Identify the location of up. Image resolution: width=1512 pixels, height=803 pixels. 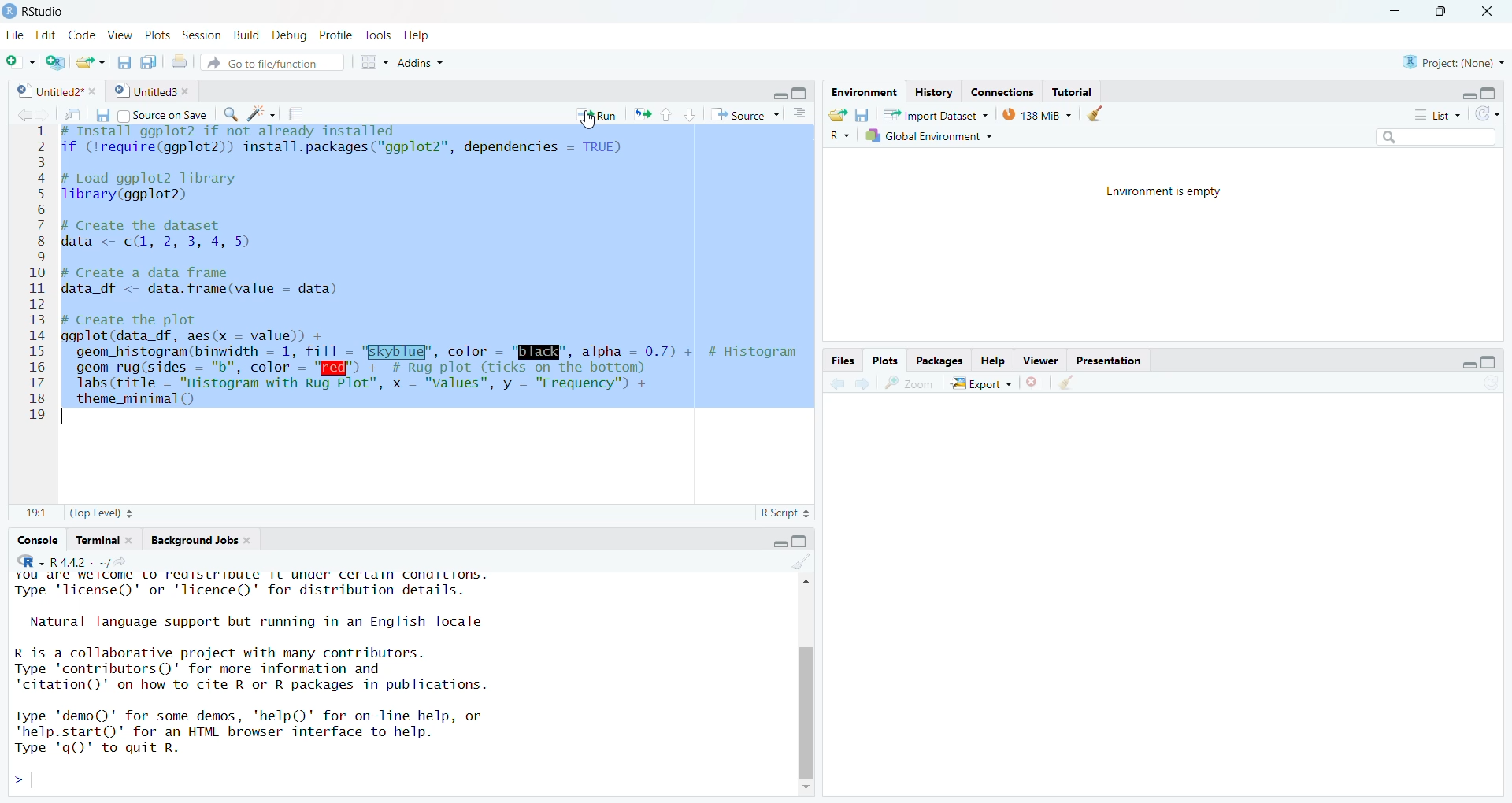
(669, 115).